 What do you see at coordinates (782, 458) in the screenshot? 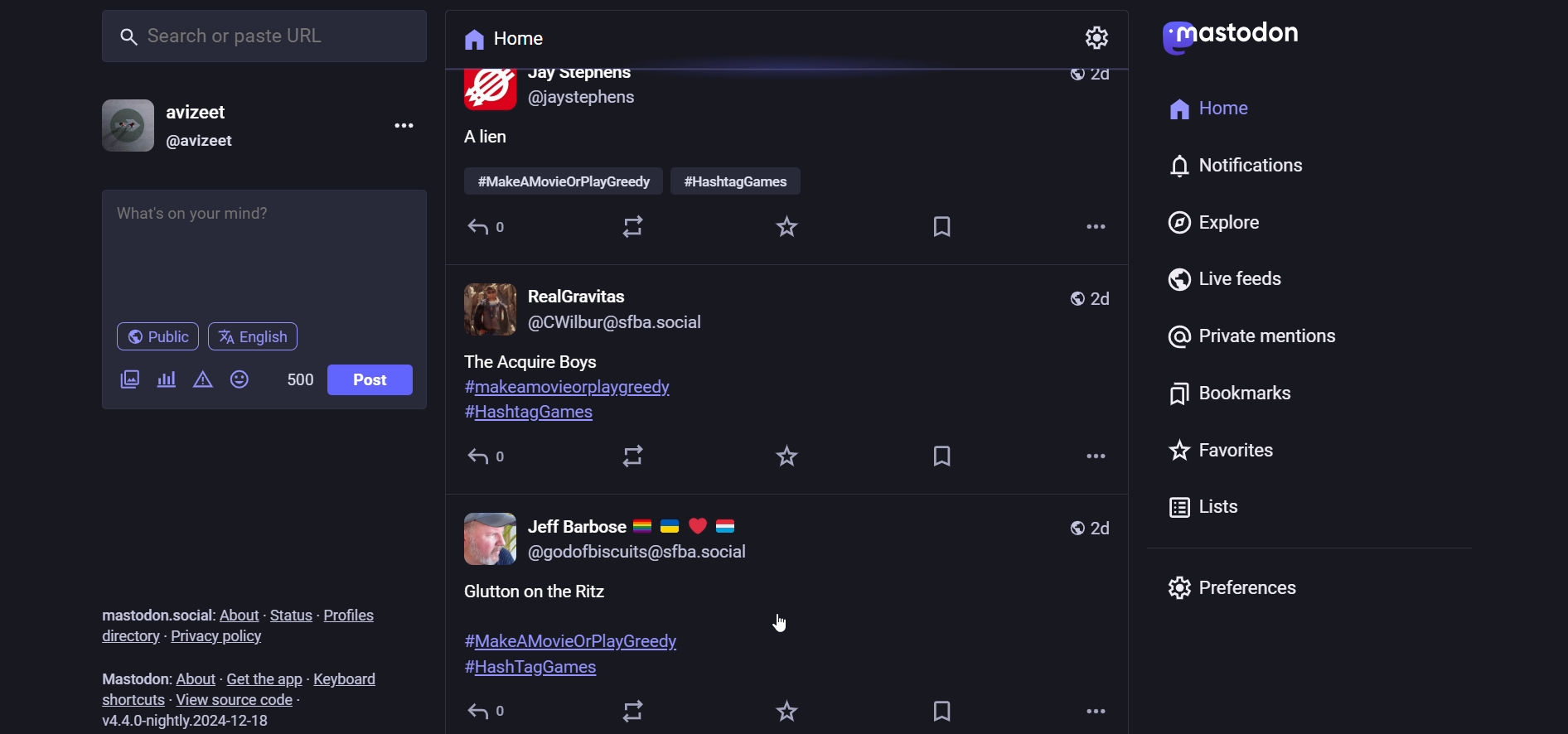
I see `favorite` at bounding box center [782, 458].